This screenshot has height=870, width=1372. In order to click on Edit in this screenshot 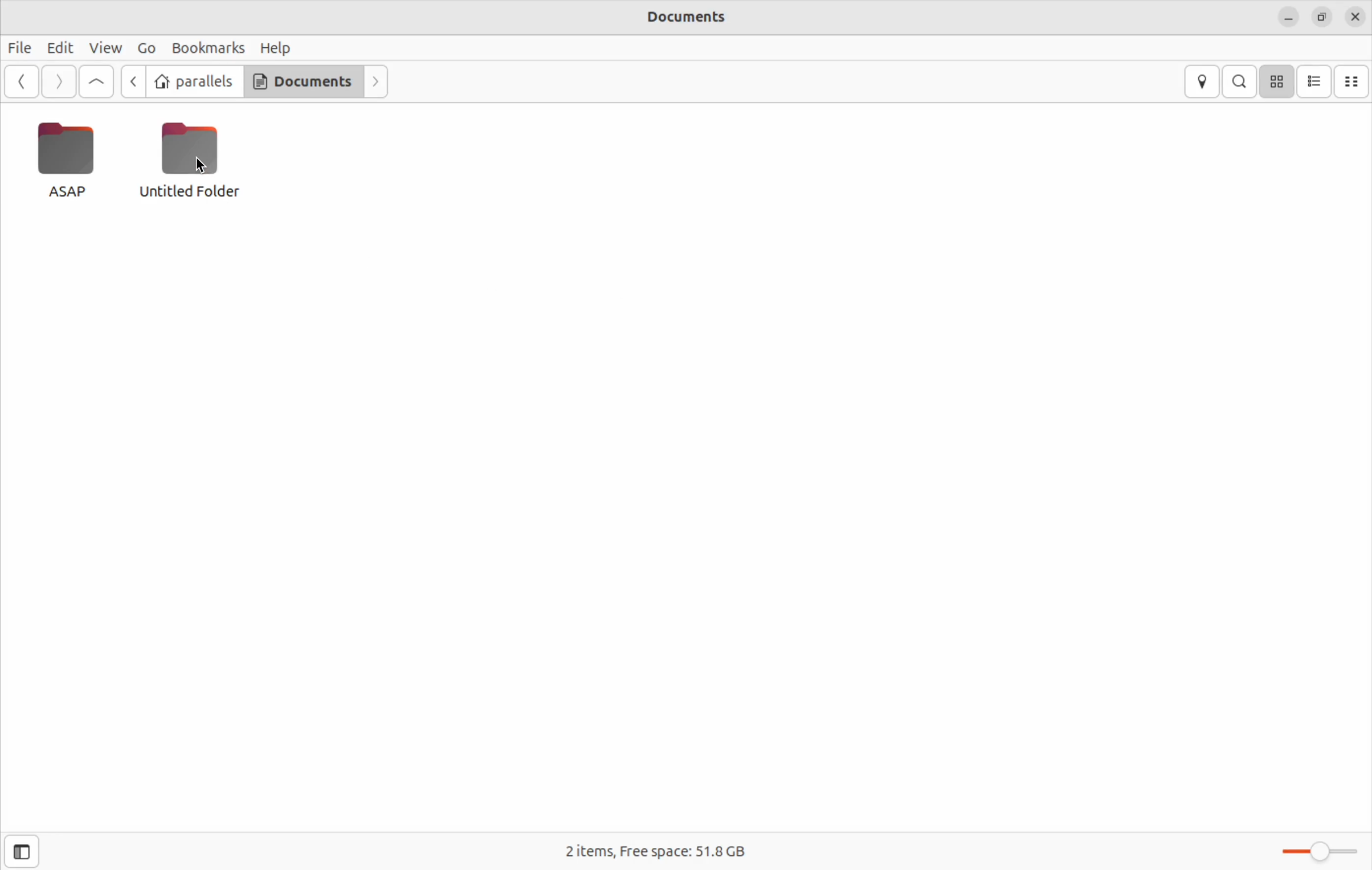, I will do `click(59, 47)`.